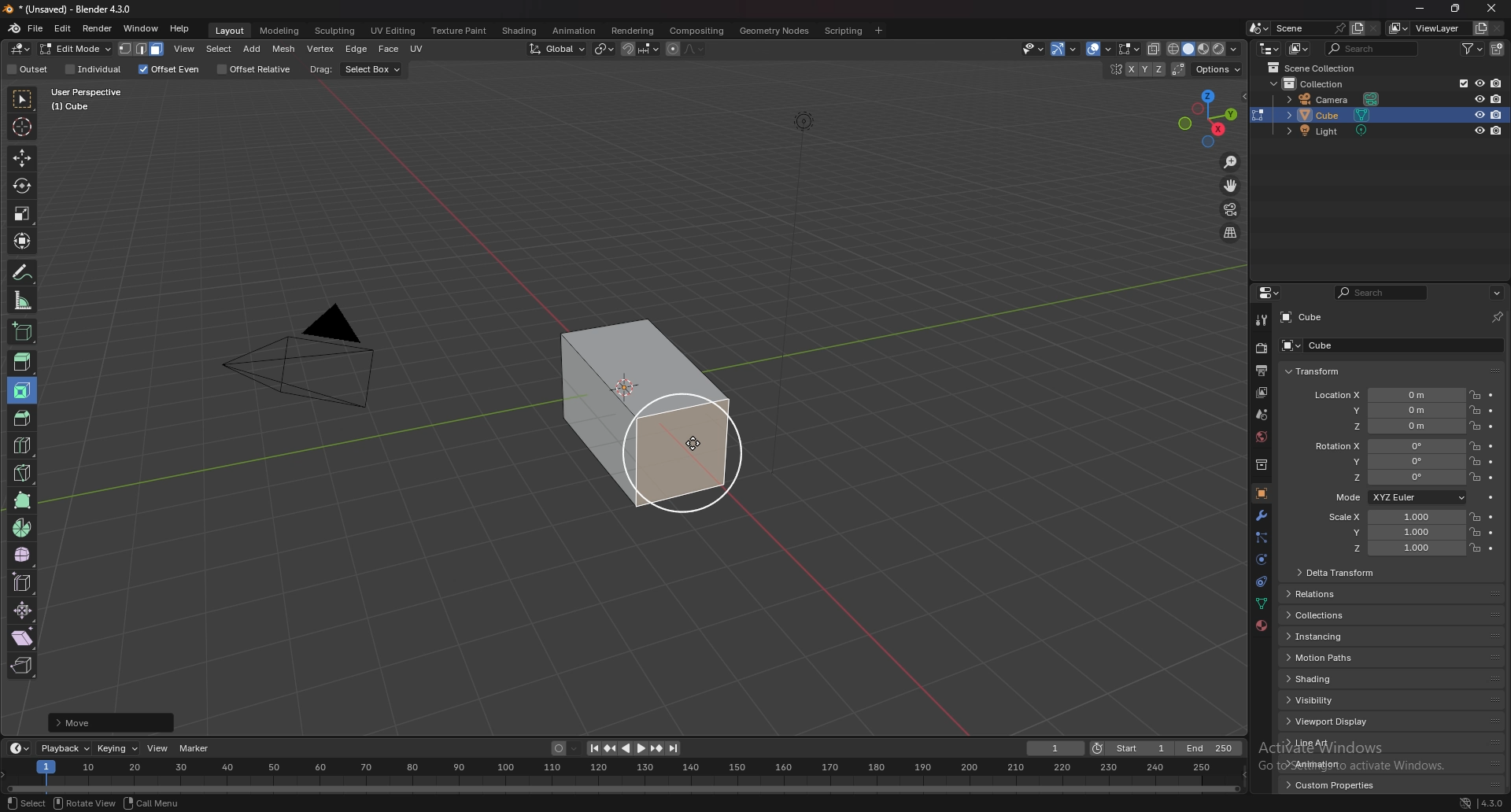 This screenshot has width=1511, height=812. Describe the element at coordinates (357, 49) in the screenshot. I see `edge` at that location.